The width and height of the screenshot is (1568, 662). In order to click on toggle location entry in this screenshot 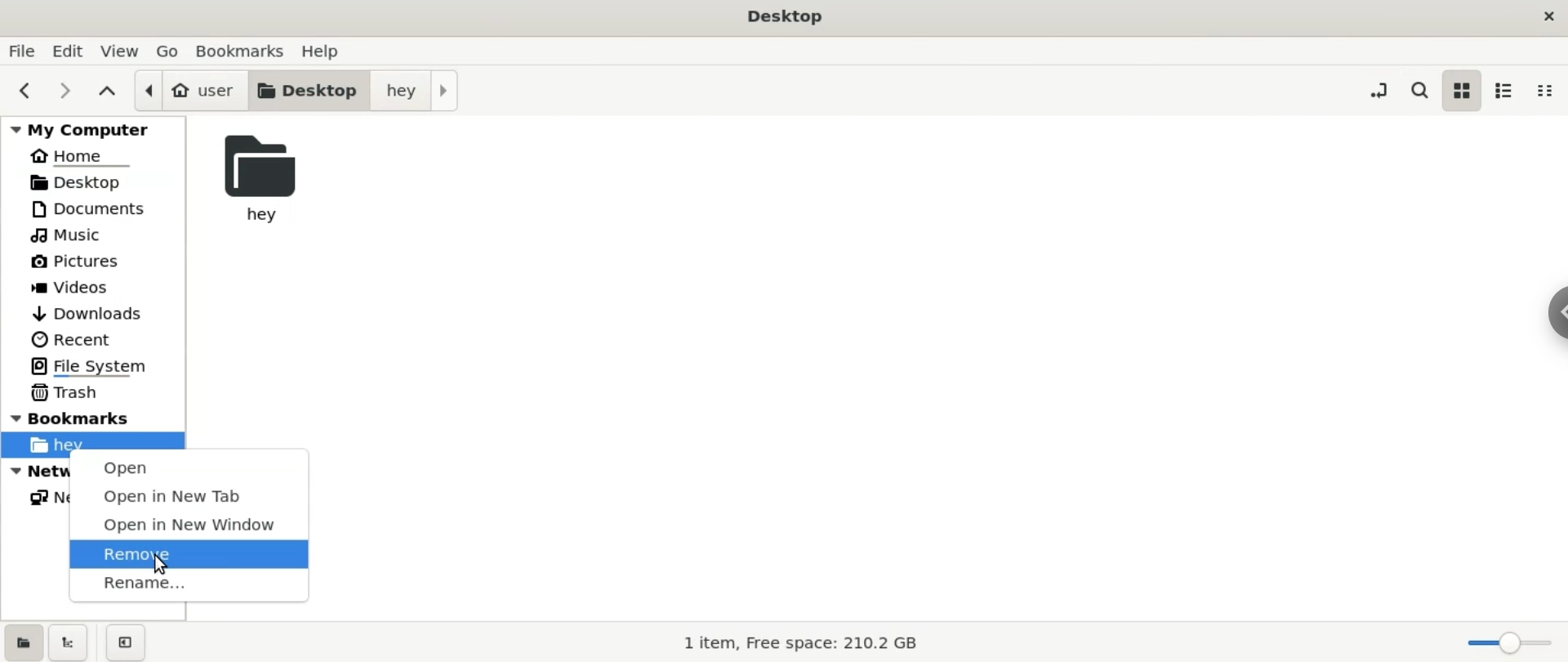, I will do `click(1378, 92)`.